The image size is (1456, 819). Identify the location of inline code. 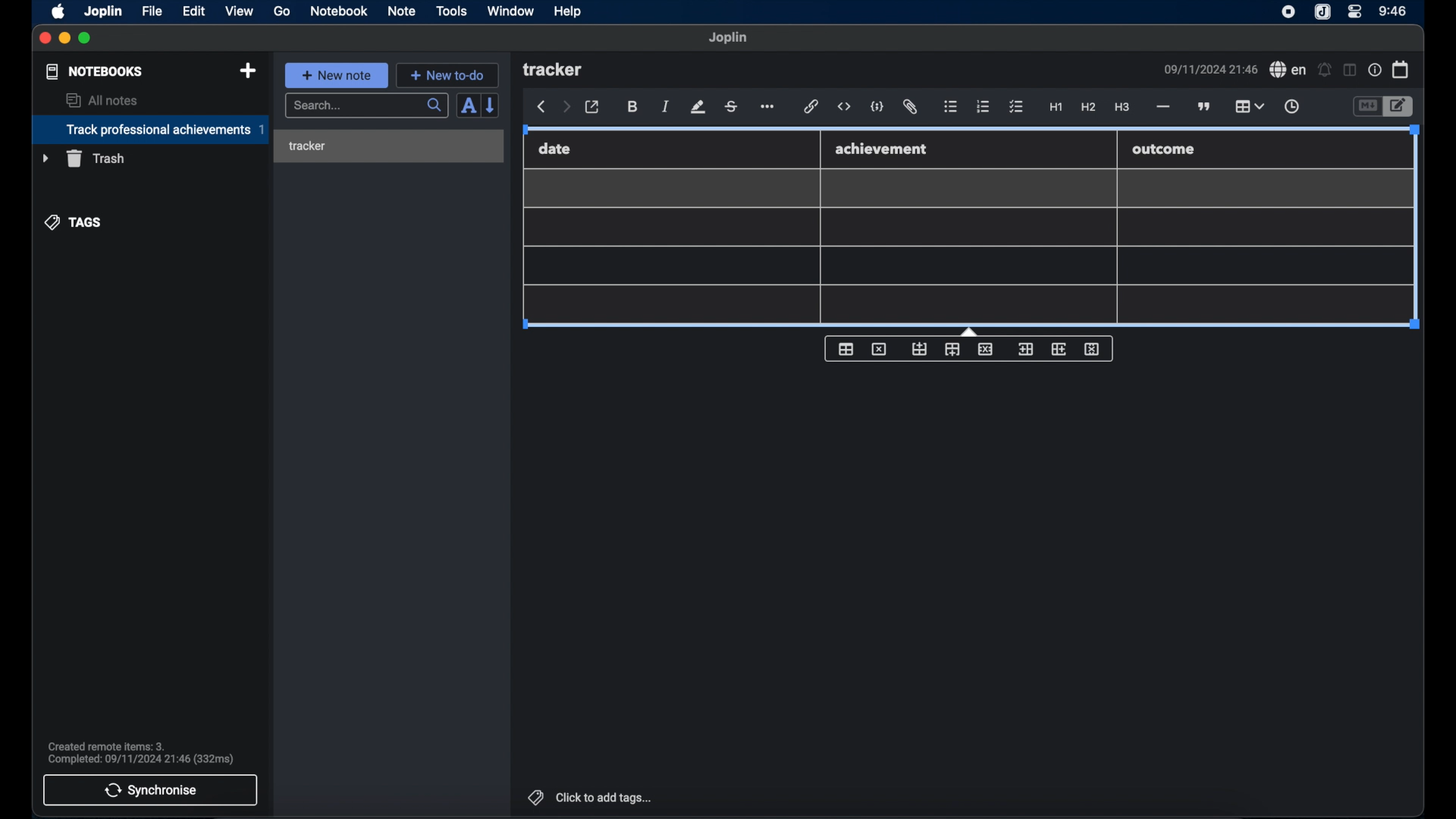
(844, 107).